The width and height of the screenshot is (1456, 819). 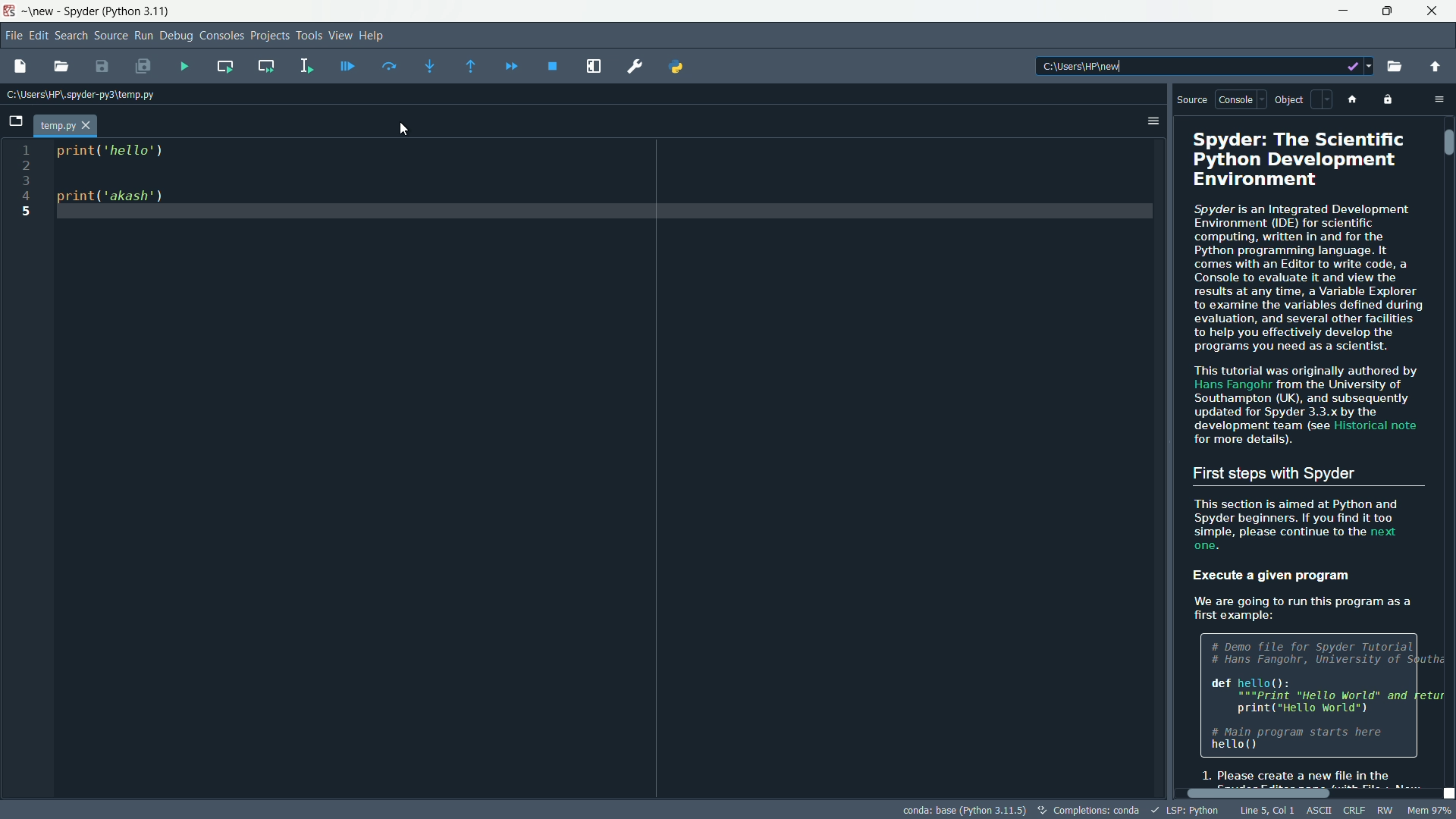 I want to click on drop down, so click(x=1370, y=66).